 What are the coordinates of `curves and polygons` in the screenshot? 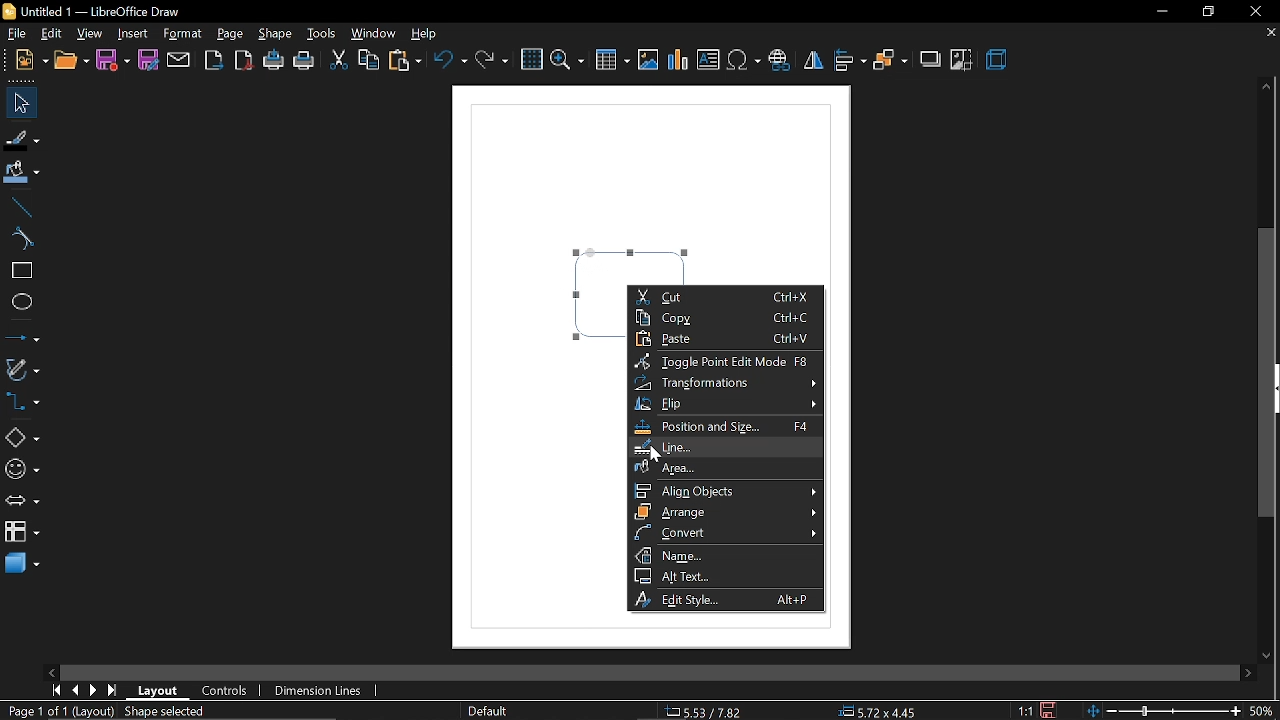 It's located at (22, 370).